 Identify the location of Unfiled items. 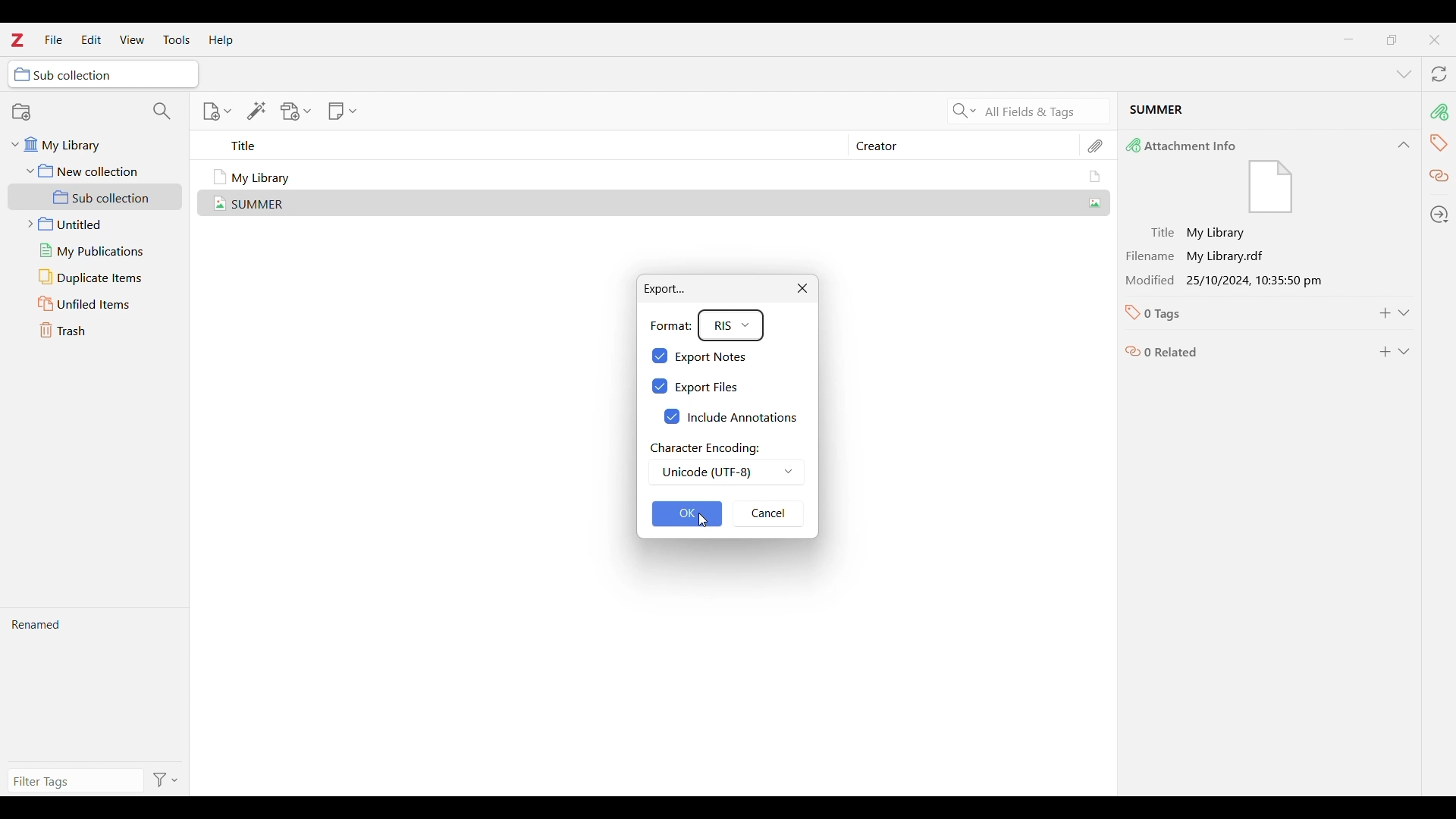
(96, 303).